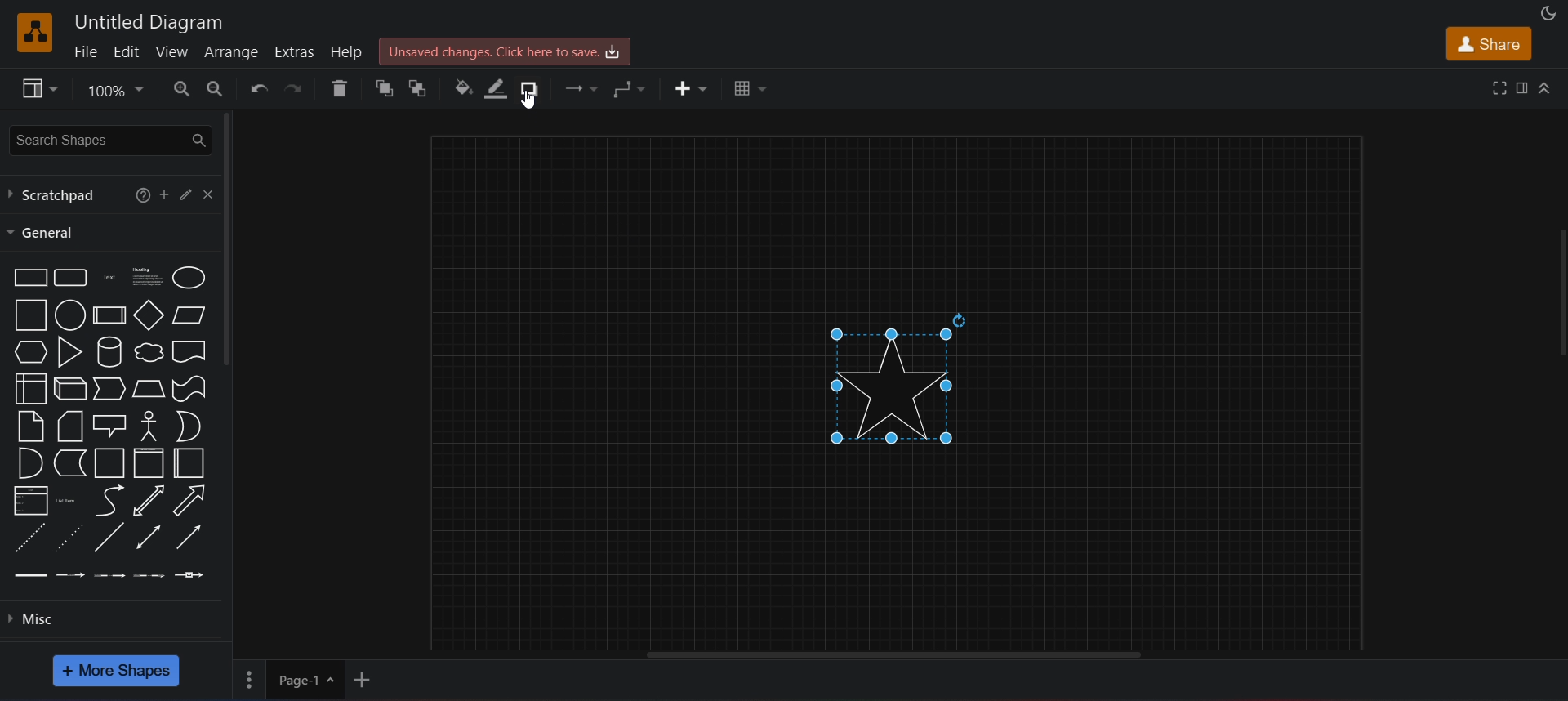  What do you see at coordinates (464, 87) in the screenshot?
I see `fill color` at bounding box center [464, 87].